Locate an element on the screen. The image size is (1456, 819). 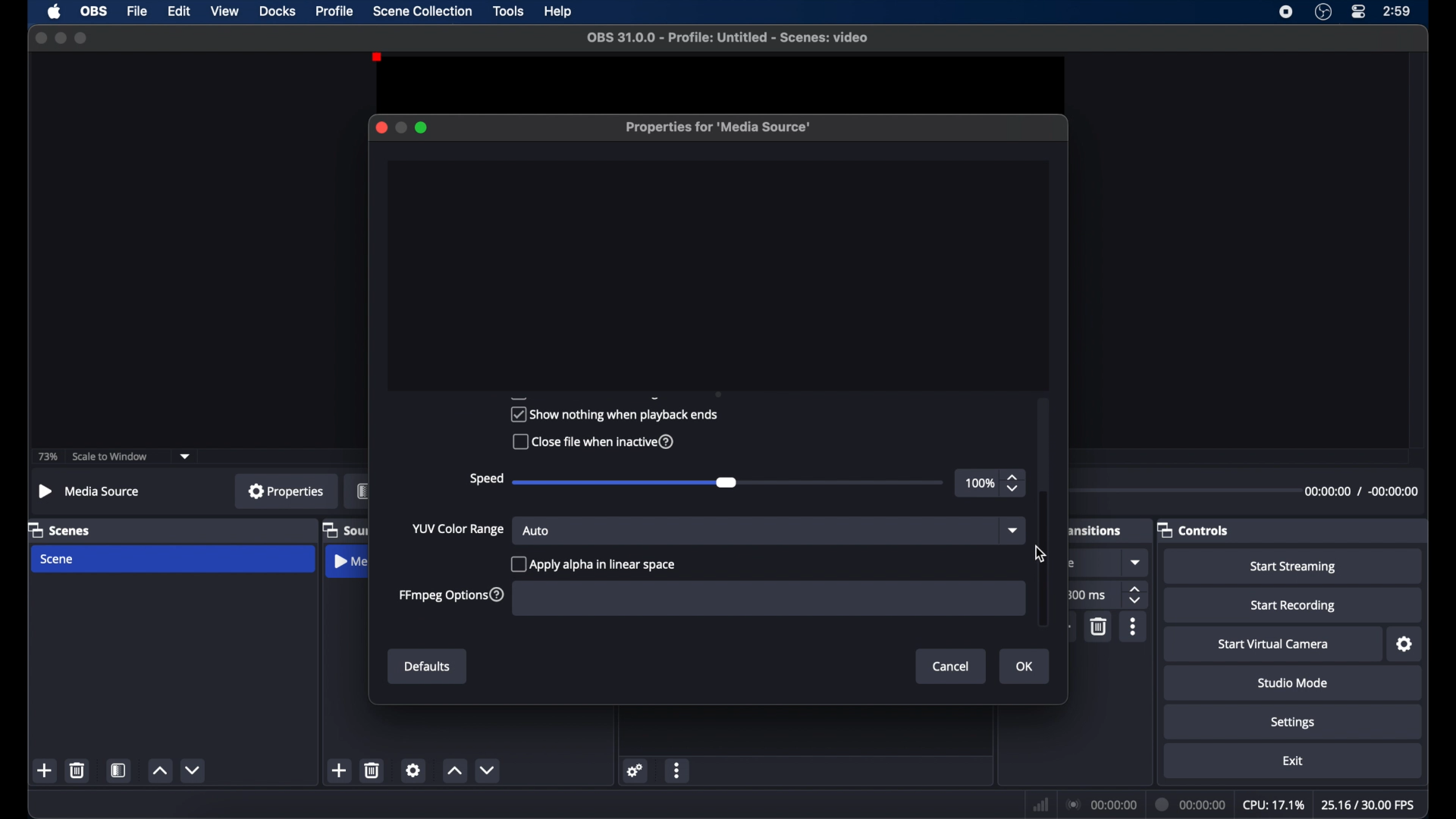
network is located at coordinates (1041, 805).